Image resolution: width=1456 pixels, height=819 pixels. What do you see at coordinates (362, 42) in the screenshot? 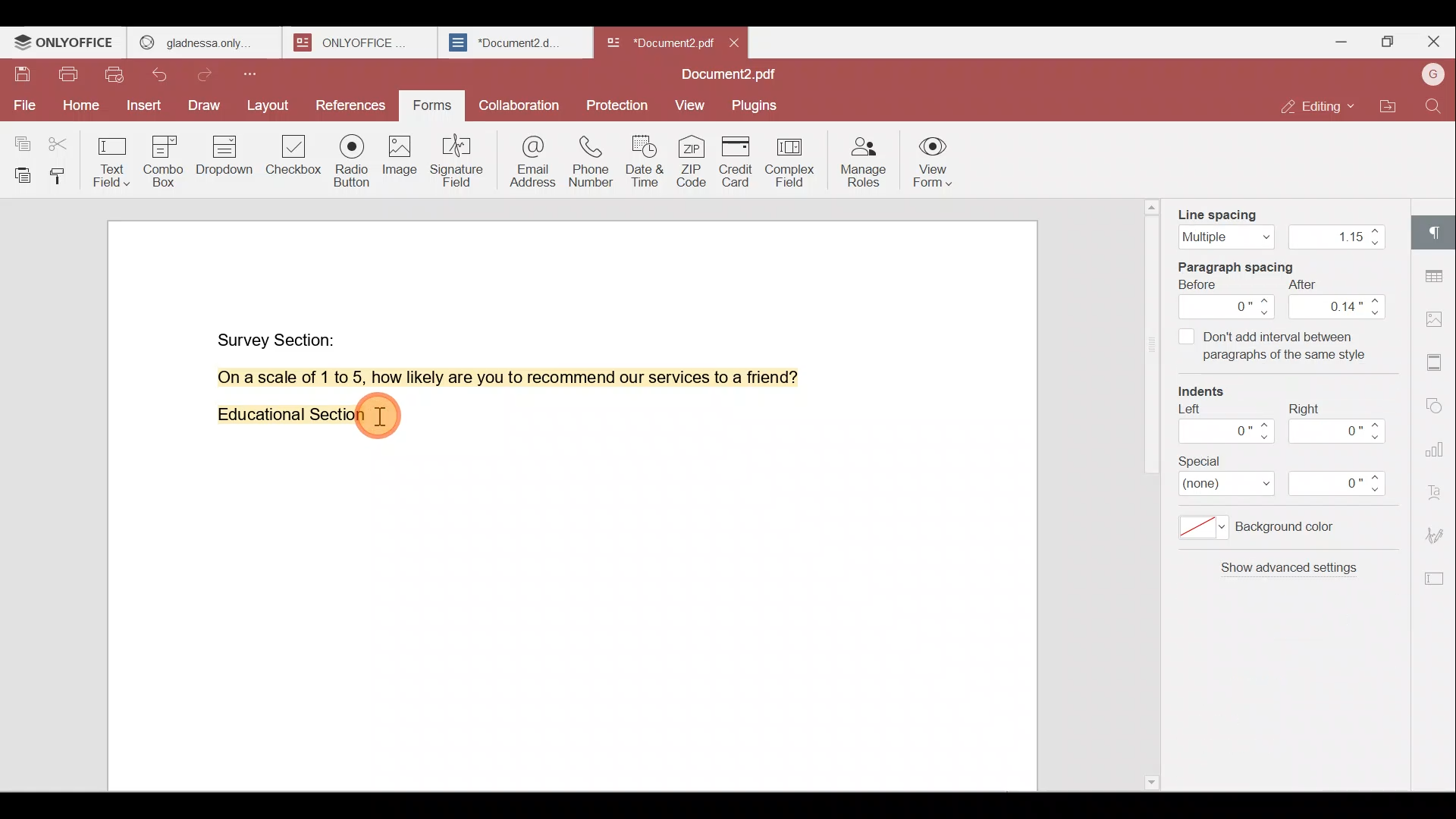
I see `ONLYOFFICE` at bounding box center [362, 42].